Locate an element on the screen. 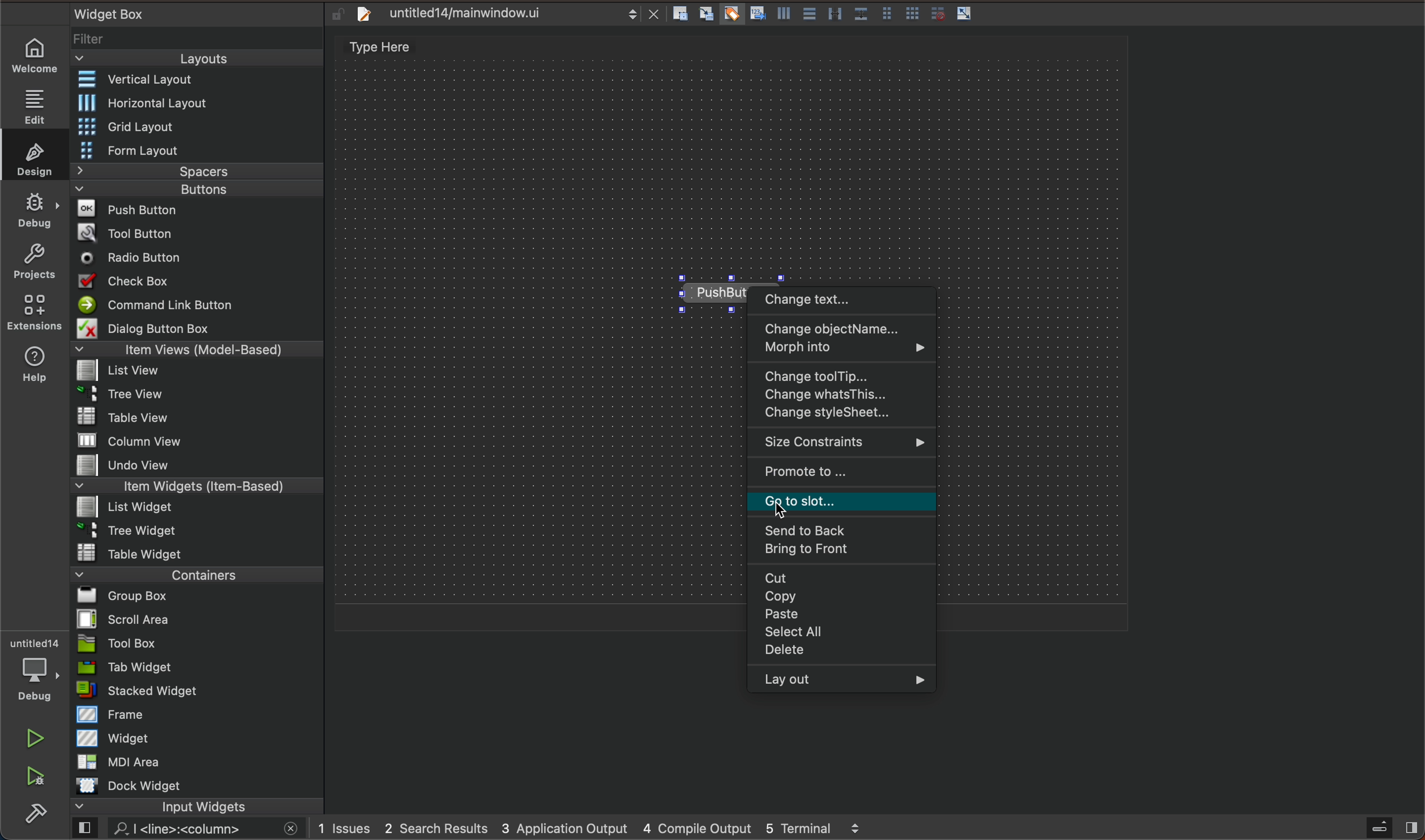   is located at coordinates (733, 13).